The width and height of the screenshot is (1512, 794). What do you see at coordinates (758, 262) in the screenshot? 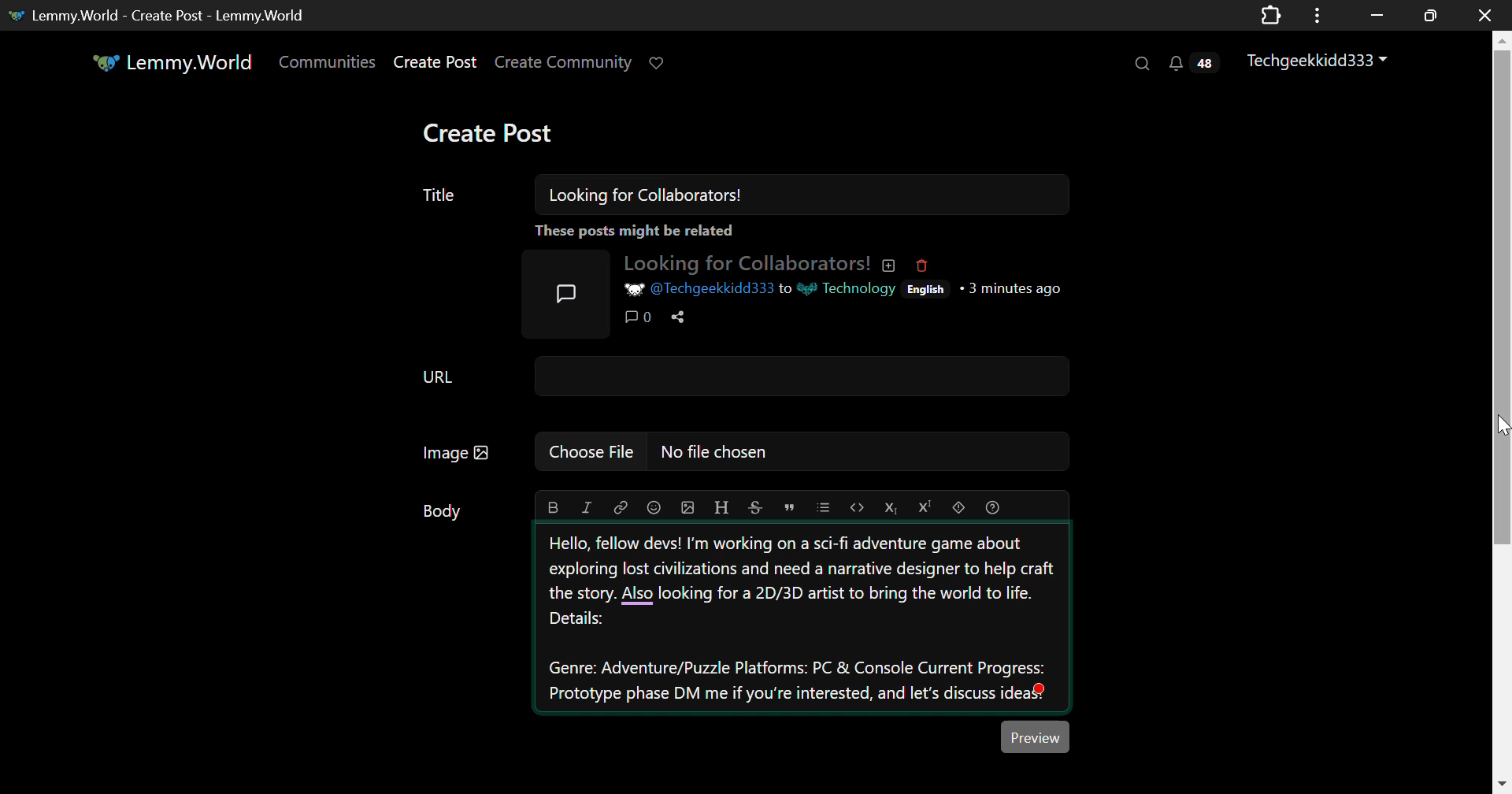
I see `Looking for Collaborators` at bounding box center [758, 262].